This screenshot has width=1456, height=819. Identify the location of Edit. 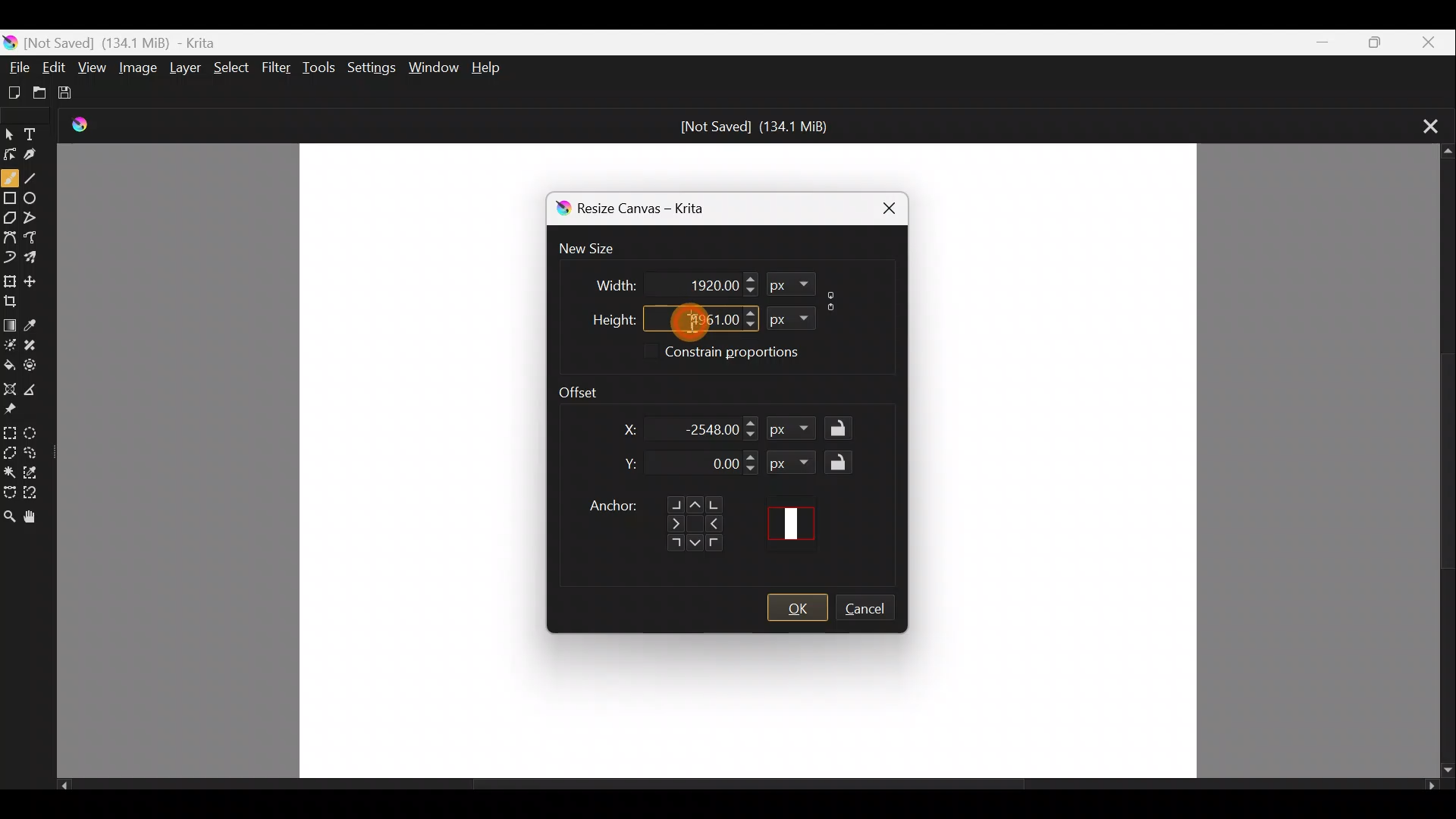
(55, 67).